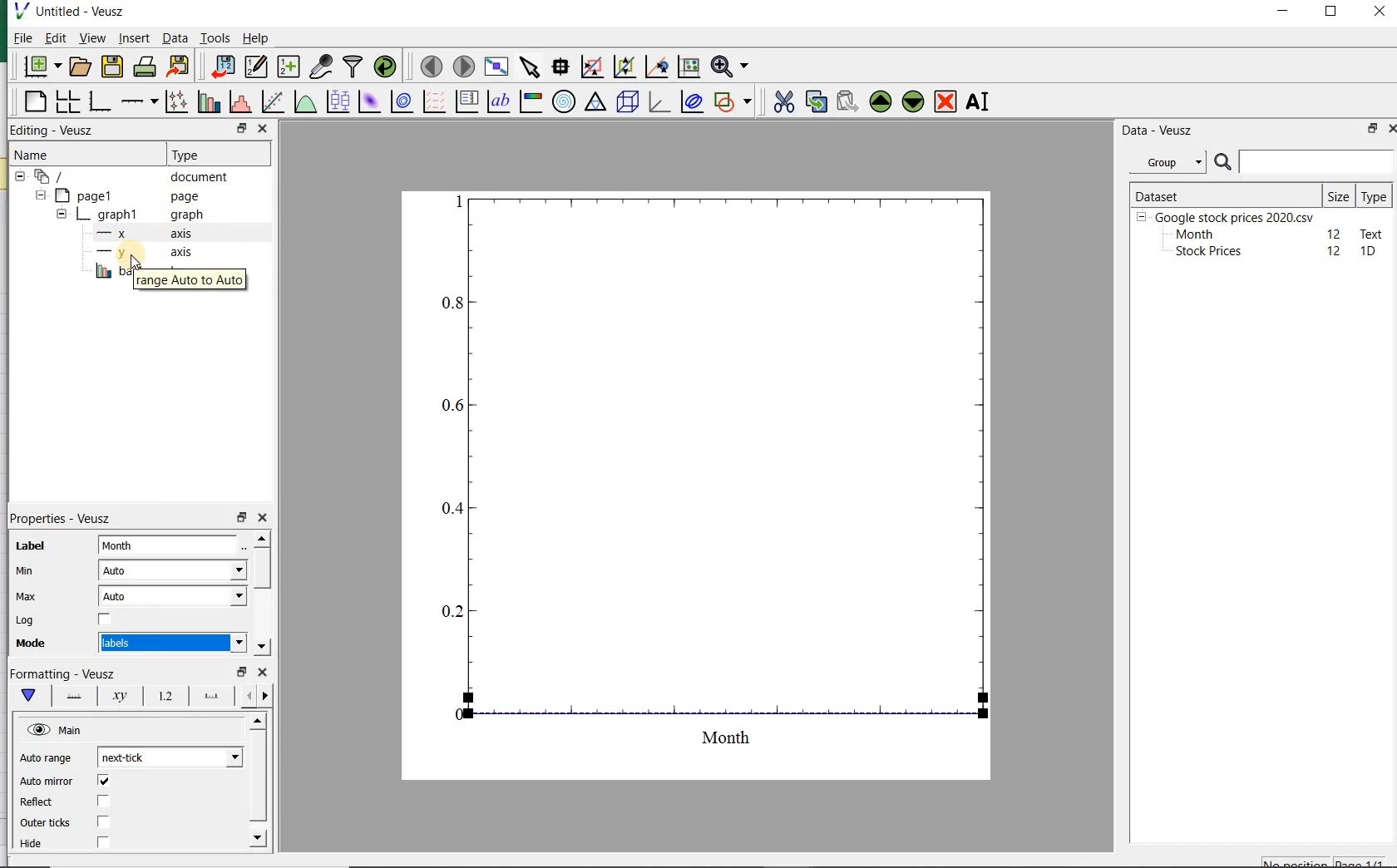 The image size is (1397, 868). What do you see at coordinates (215, 38) in the screenshot?
I see `Tools` at bounding box center [215, 38].